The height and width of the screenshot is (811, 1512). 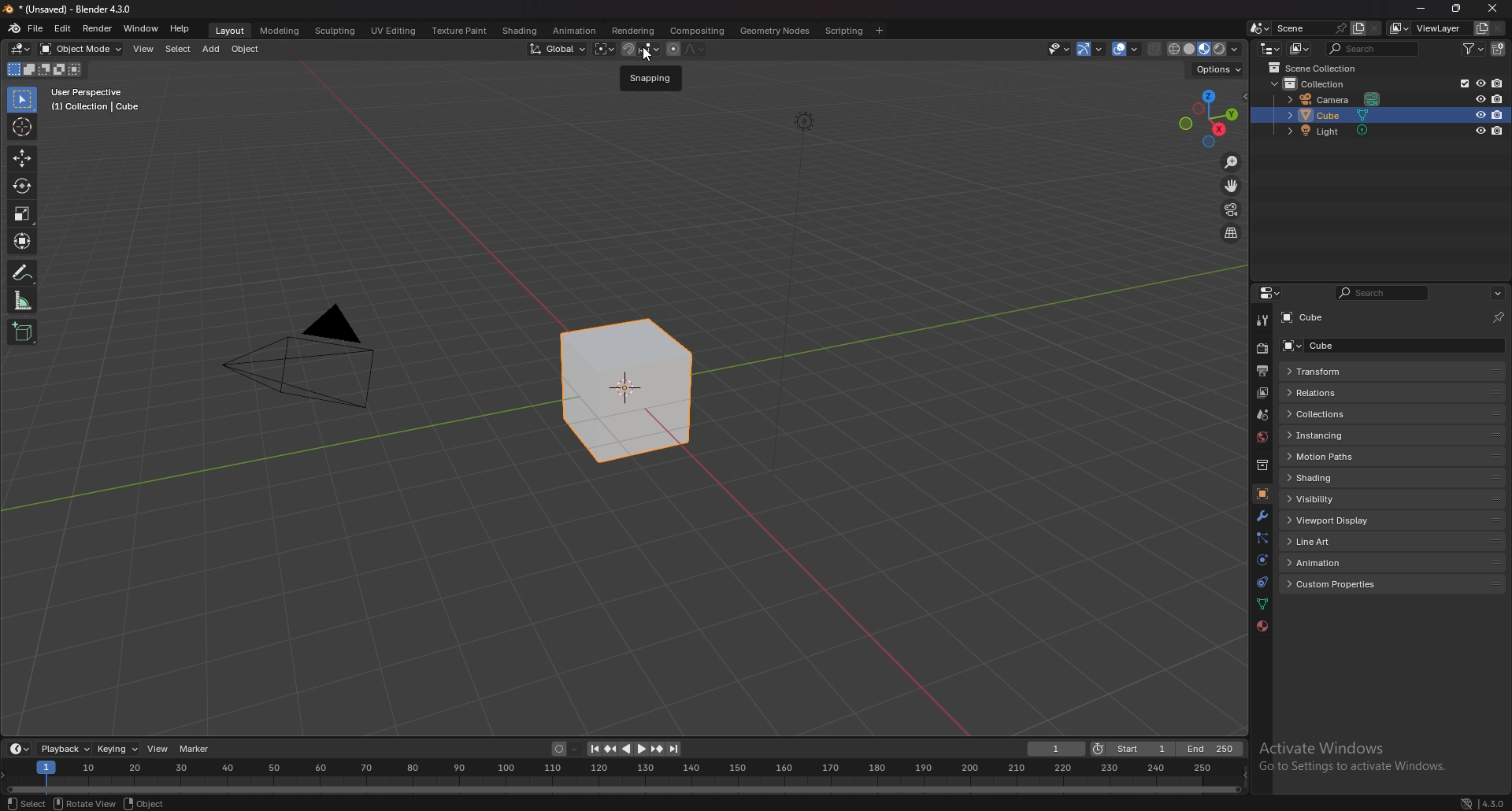 What do you see at coordinates (62, 29) in the screenshot?
I see `edit` at bounding box center [62, 29].